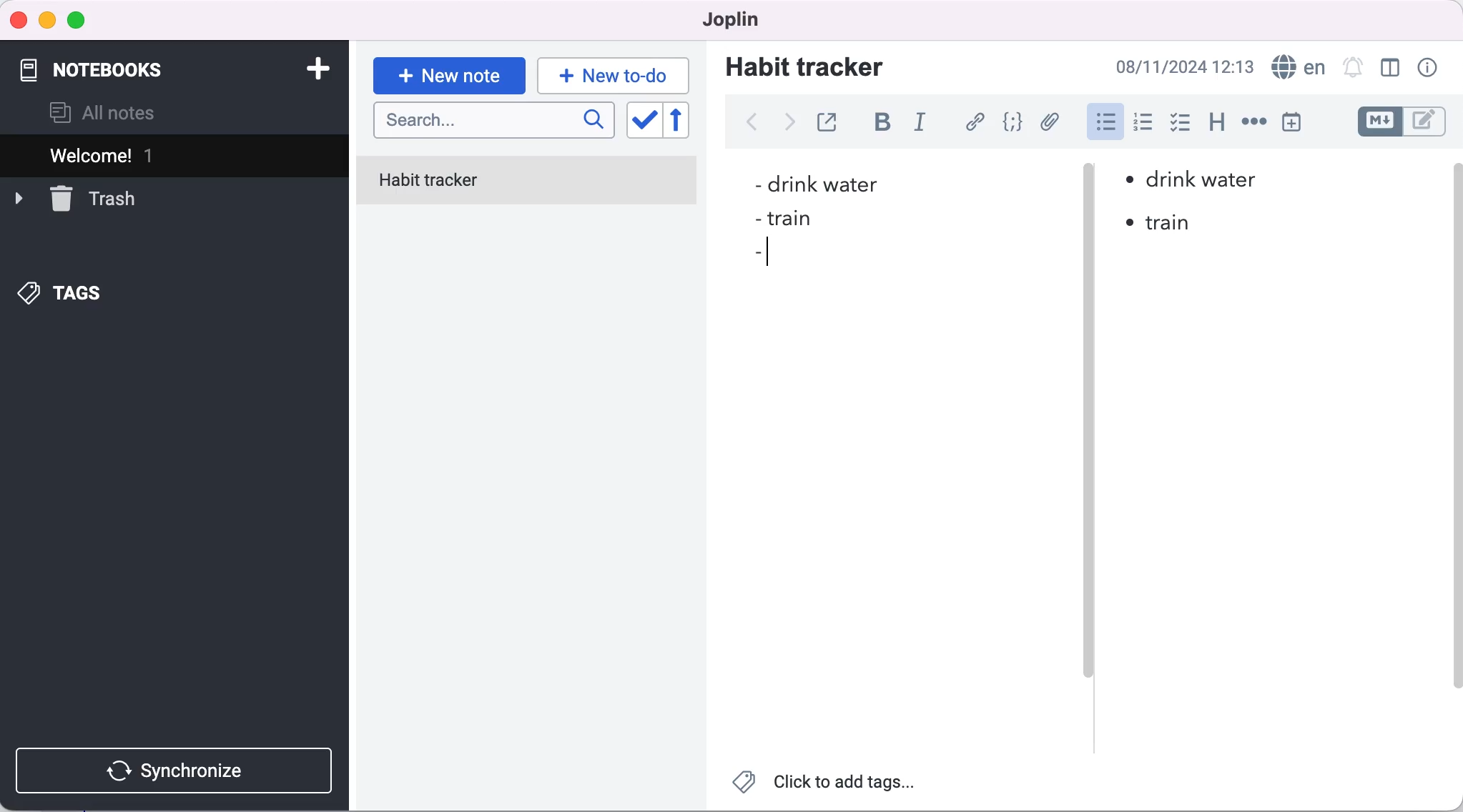 This screenshot has width=1463, height=812. I want to click on -, so click(759, 252).